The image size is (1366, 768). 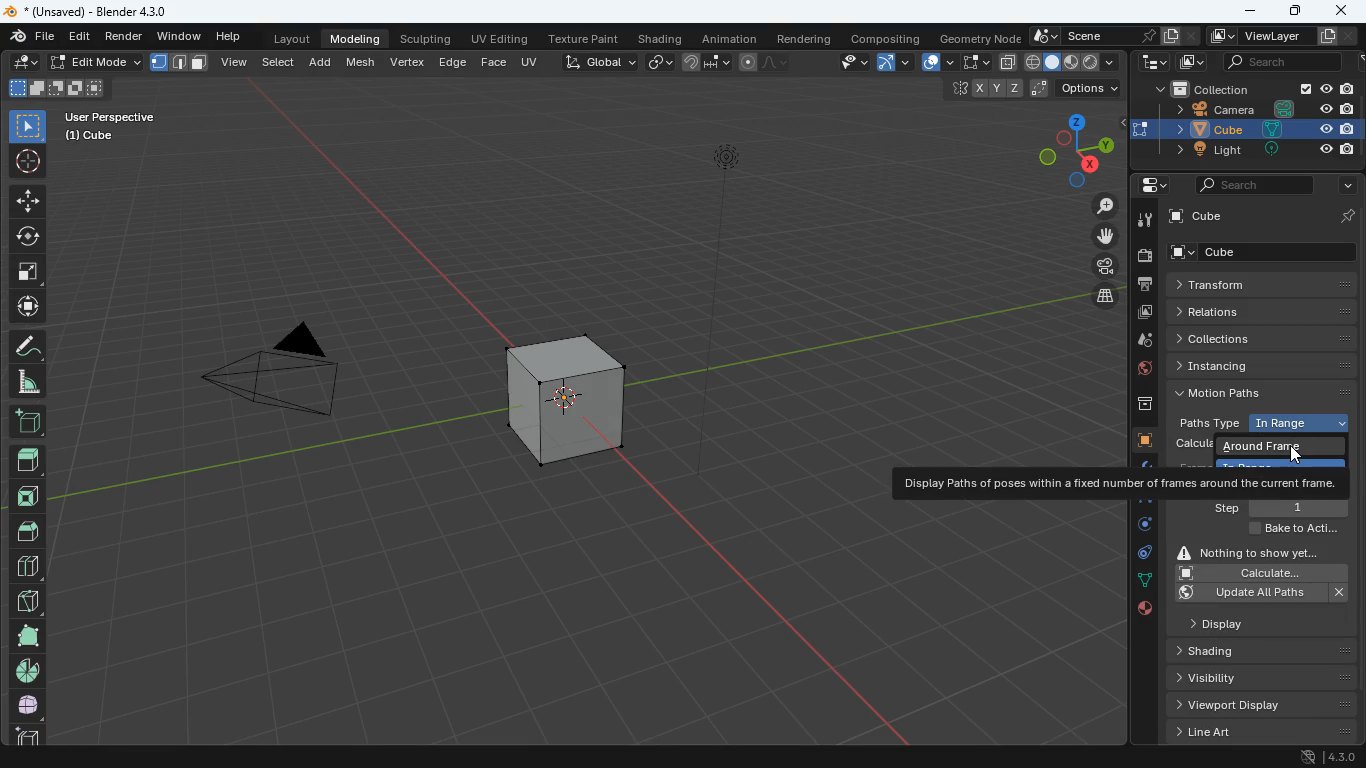 I want to click on paths, so click(x=1264, y=392).